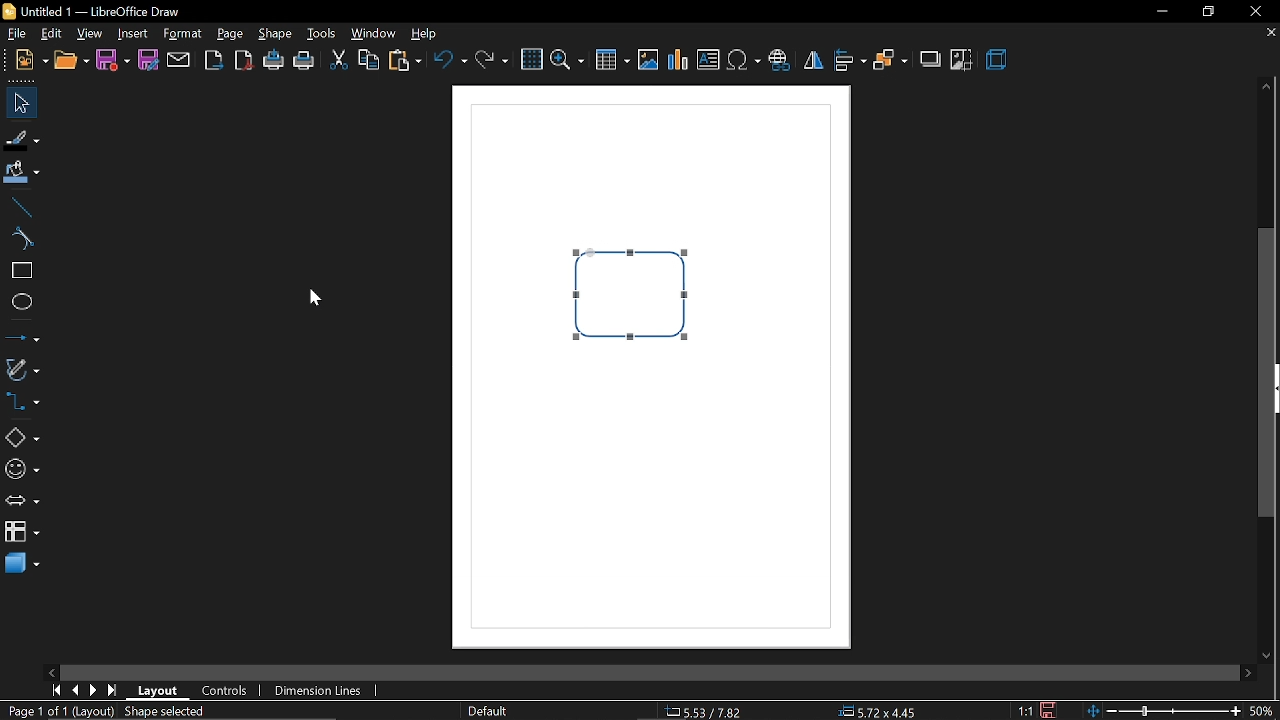  What do you see at coordinates (22, 370) in the screenshot?
I see `curves and polygons` at bounding box center [22, 370].